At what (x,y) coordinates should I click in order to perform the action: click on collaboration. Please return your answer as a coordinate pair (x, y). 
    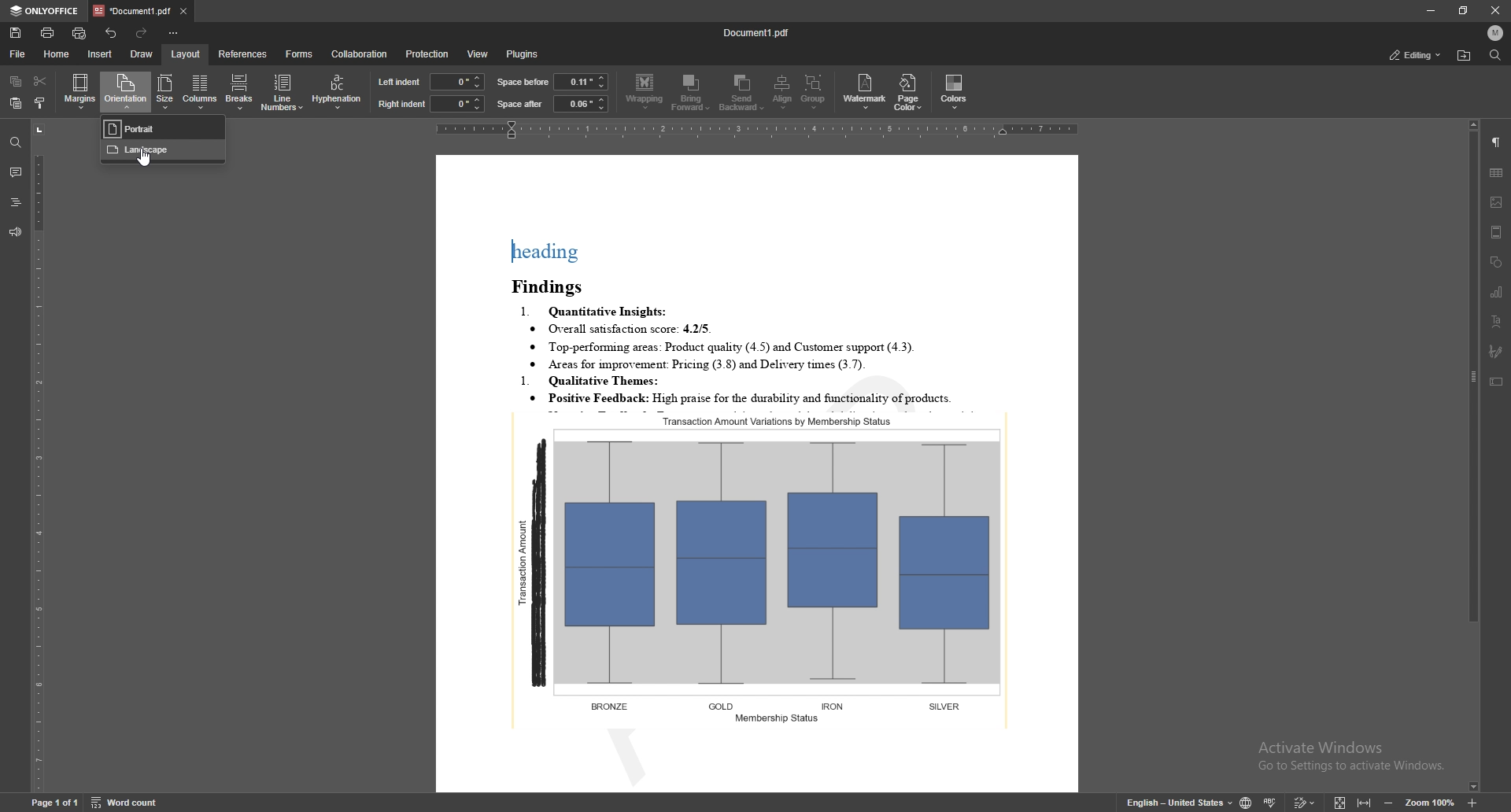
    Looking at the image, I should click on (363, 53).